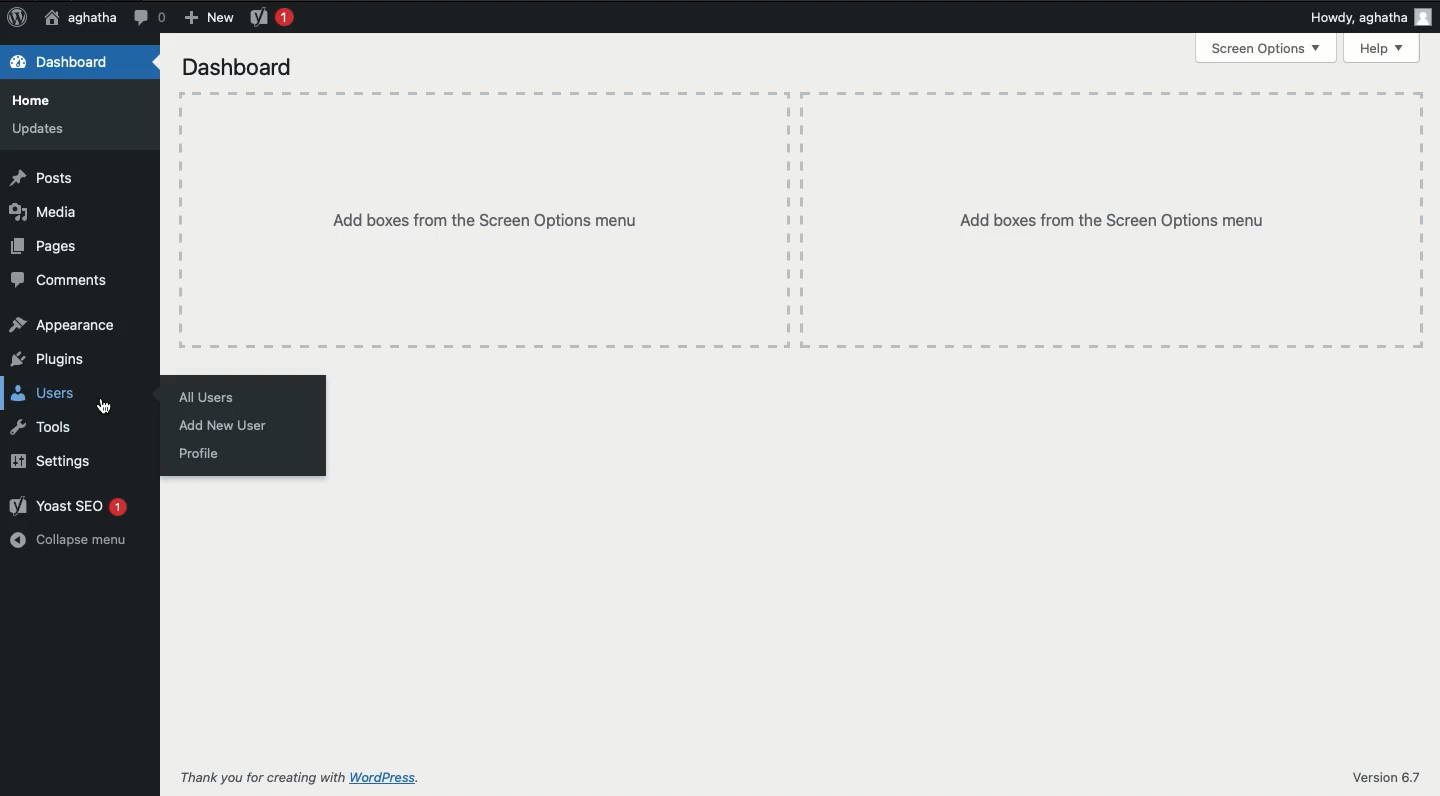 Image resolution: width=1440 pixels, height=796 pixels. What do you see at coordinates (48, 462) in the screenshot?
I see `Settings` at bounding box center [48, 462].